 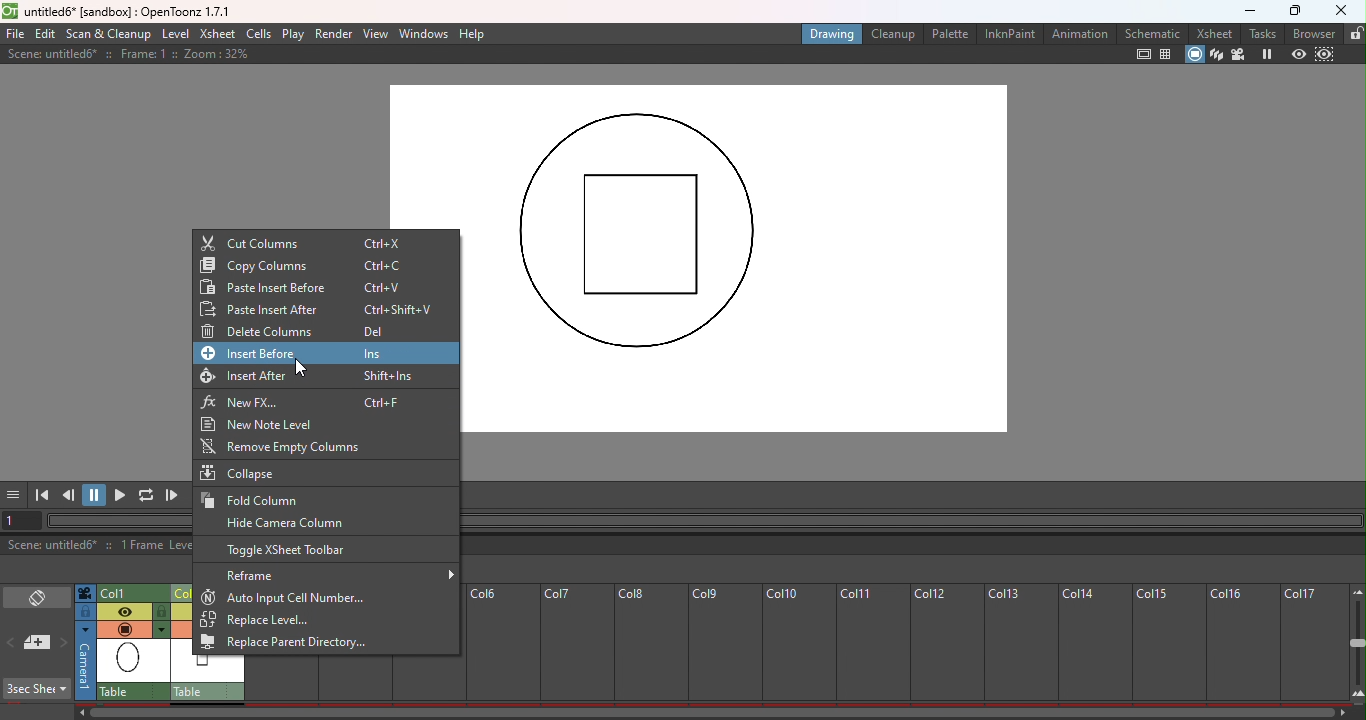 I want to click on Zoom out, so click(x=1356, y=590).